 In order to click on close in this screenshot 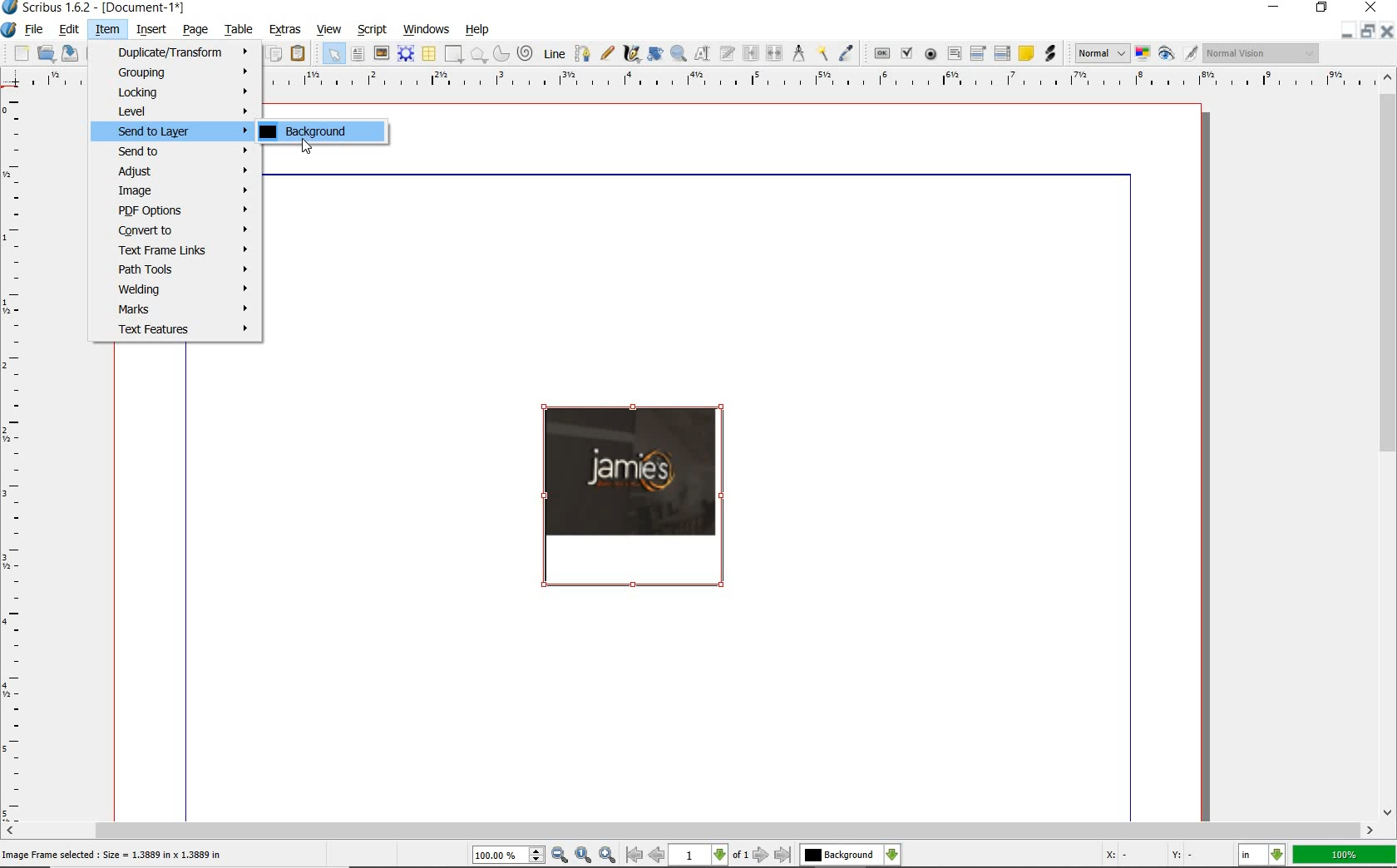, I will do `click(1374, 7)`.